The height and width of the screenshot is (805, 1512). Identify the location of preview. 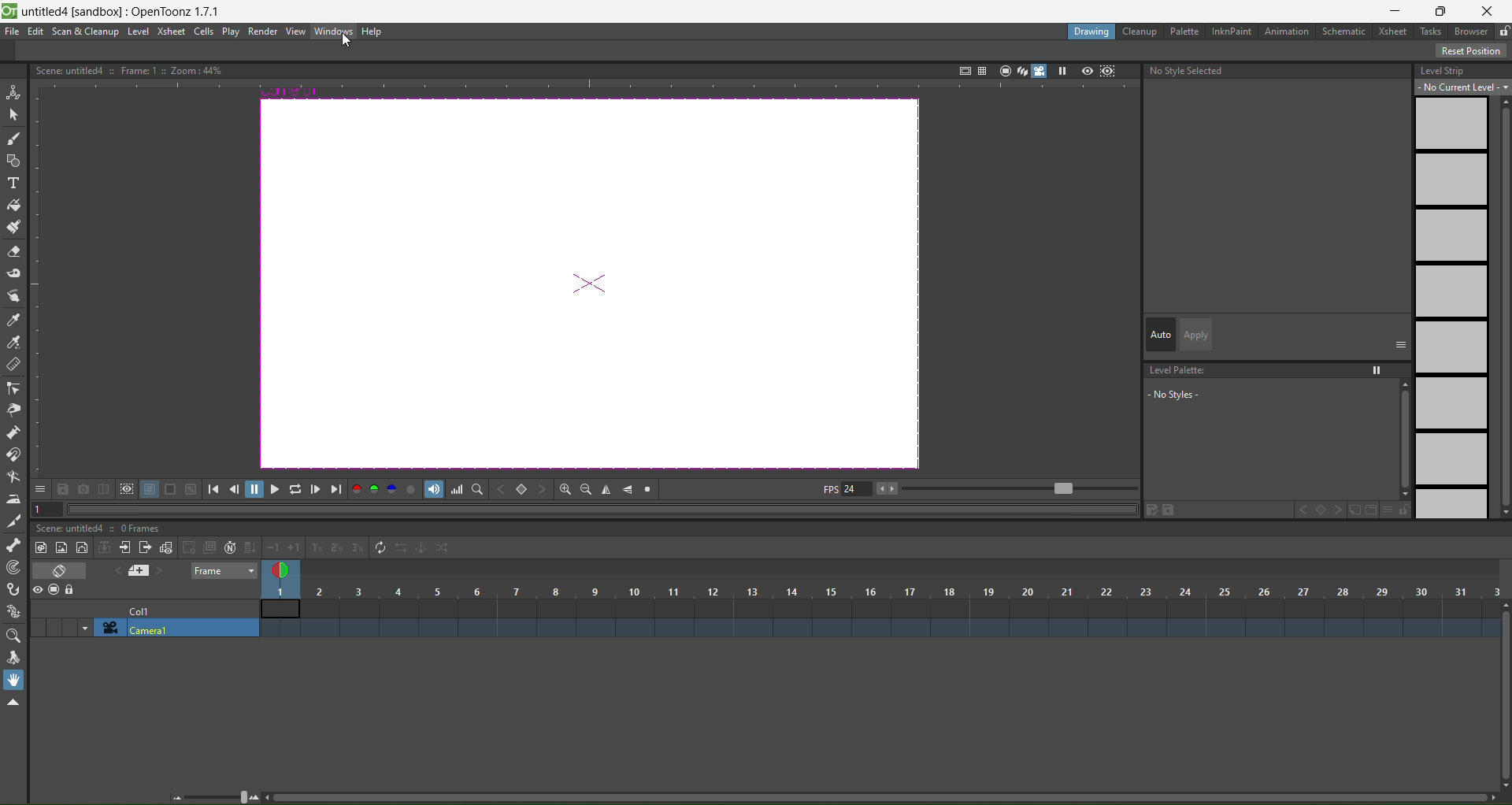
(1087, 70).